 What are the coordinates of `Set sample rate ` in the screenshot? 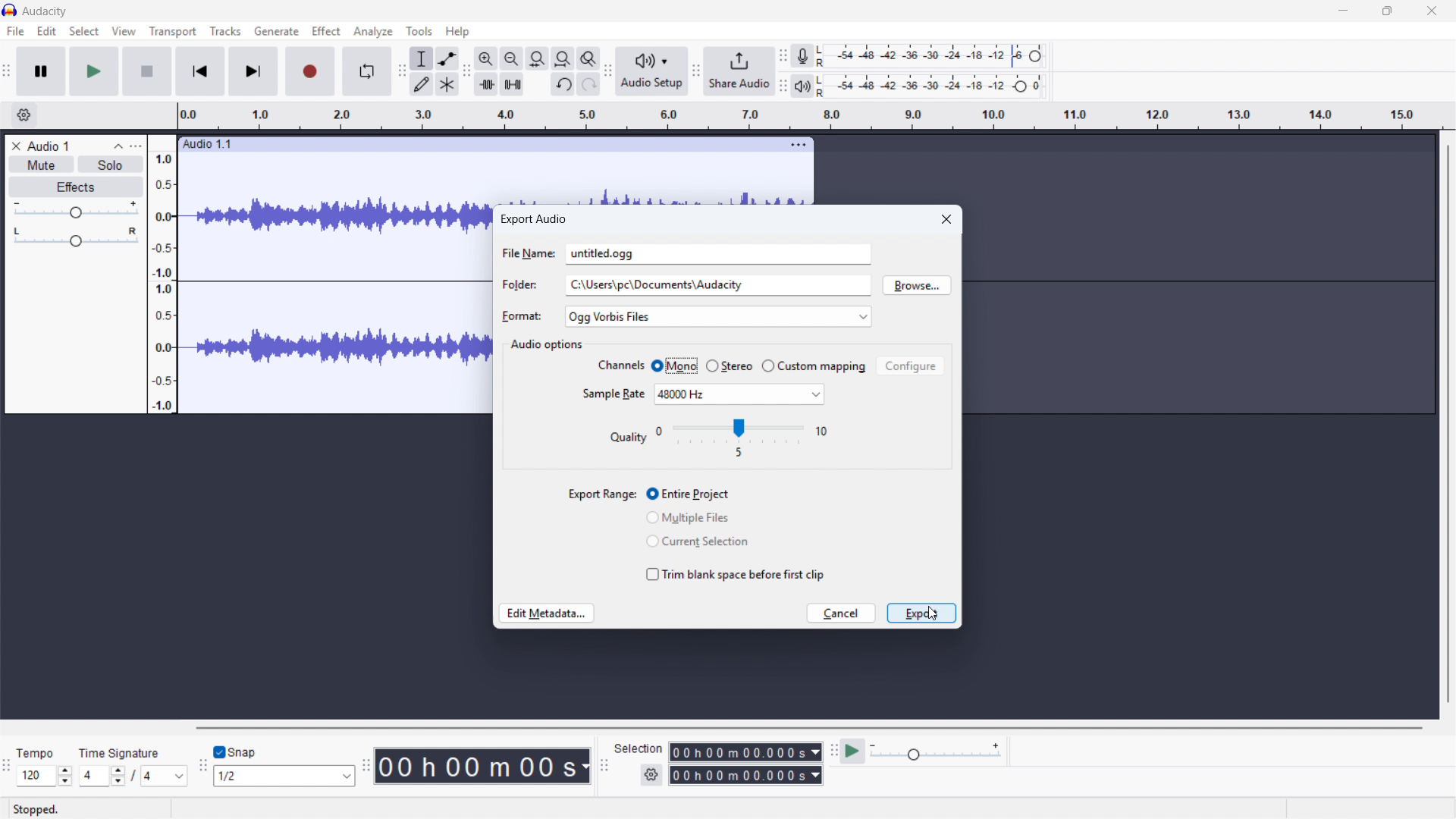 It's located at (740, 394).